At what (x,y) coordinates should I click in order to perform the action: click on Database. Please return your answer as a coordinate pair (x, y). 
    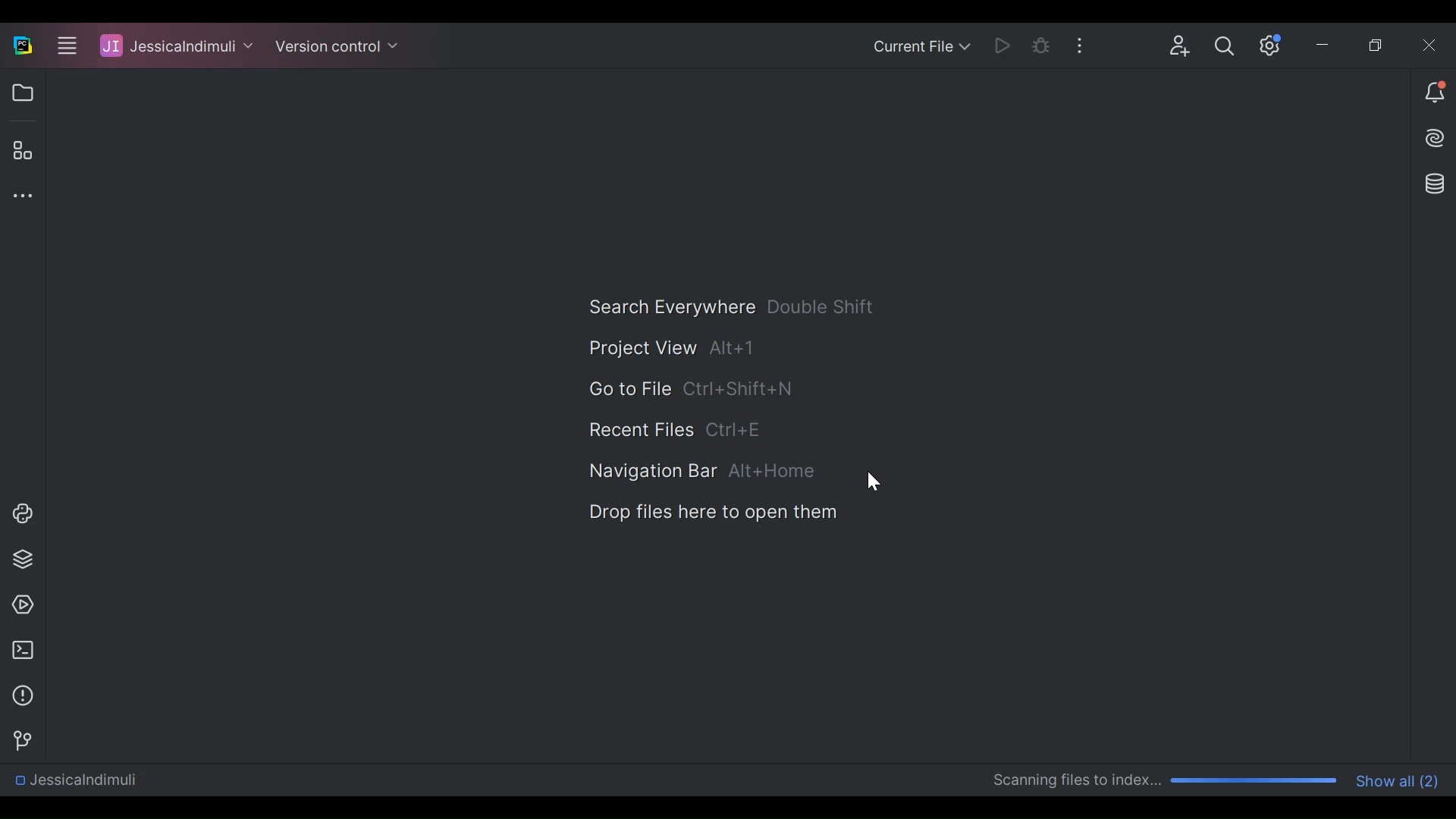
    Looking at the image, I should click on (1437, 184).